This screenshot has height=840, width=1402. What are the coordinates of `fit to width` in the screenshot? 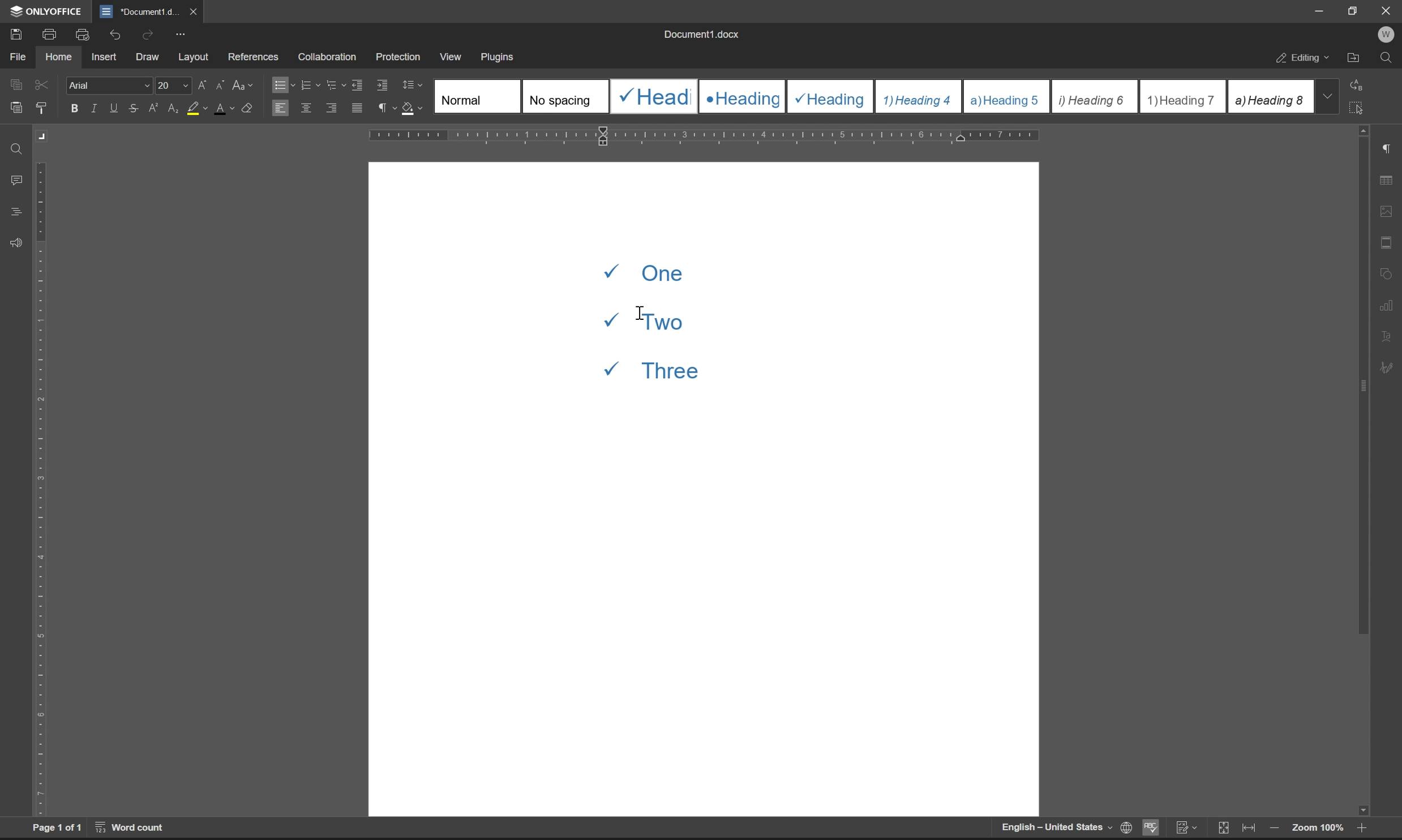 It's located at (1249, 828).